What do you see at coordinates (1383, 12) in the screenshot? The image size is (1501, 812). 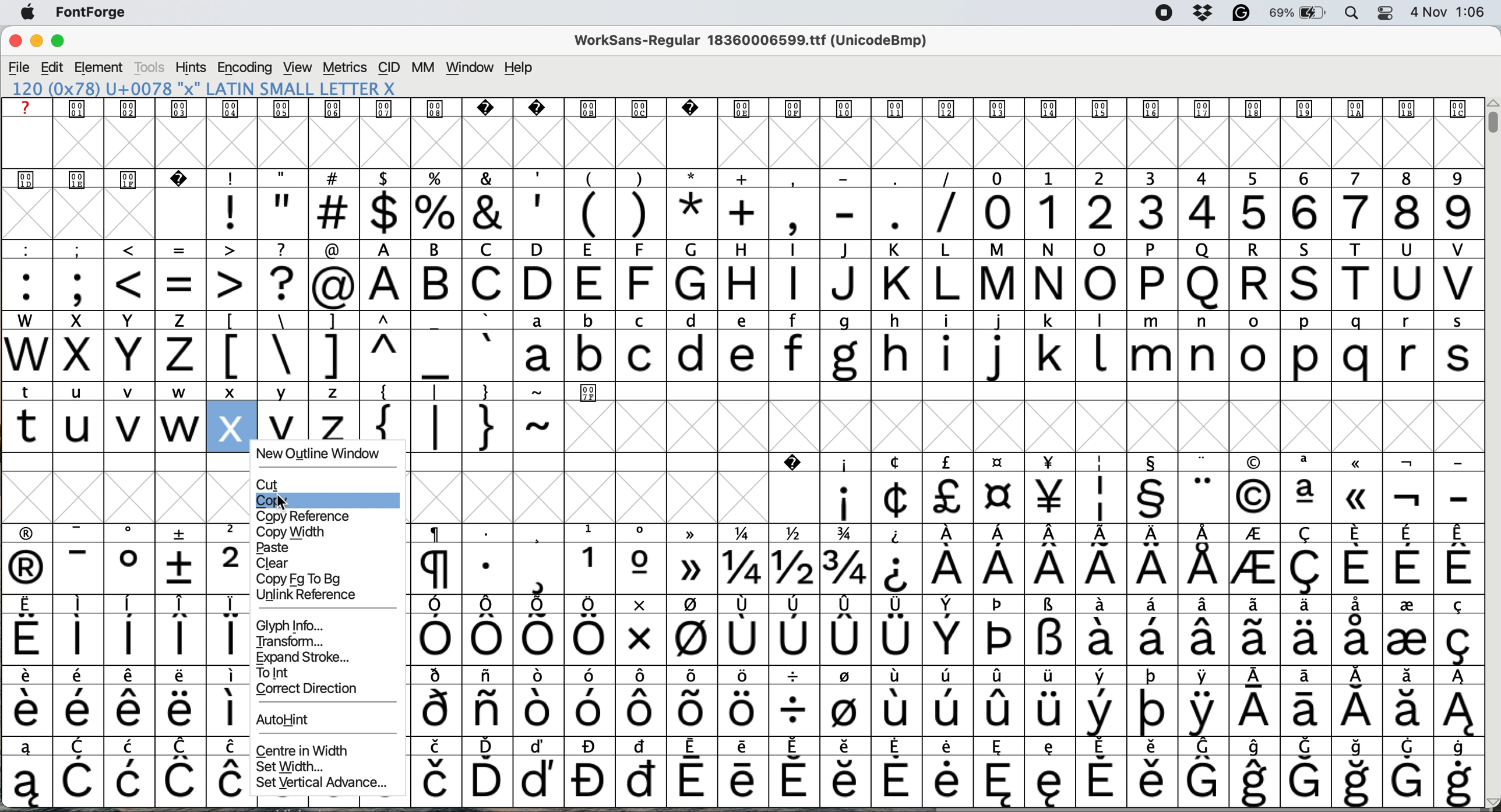 I see `control center` at bounding box center [1383, 12].